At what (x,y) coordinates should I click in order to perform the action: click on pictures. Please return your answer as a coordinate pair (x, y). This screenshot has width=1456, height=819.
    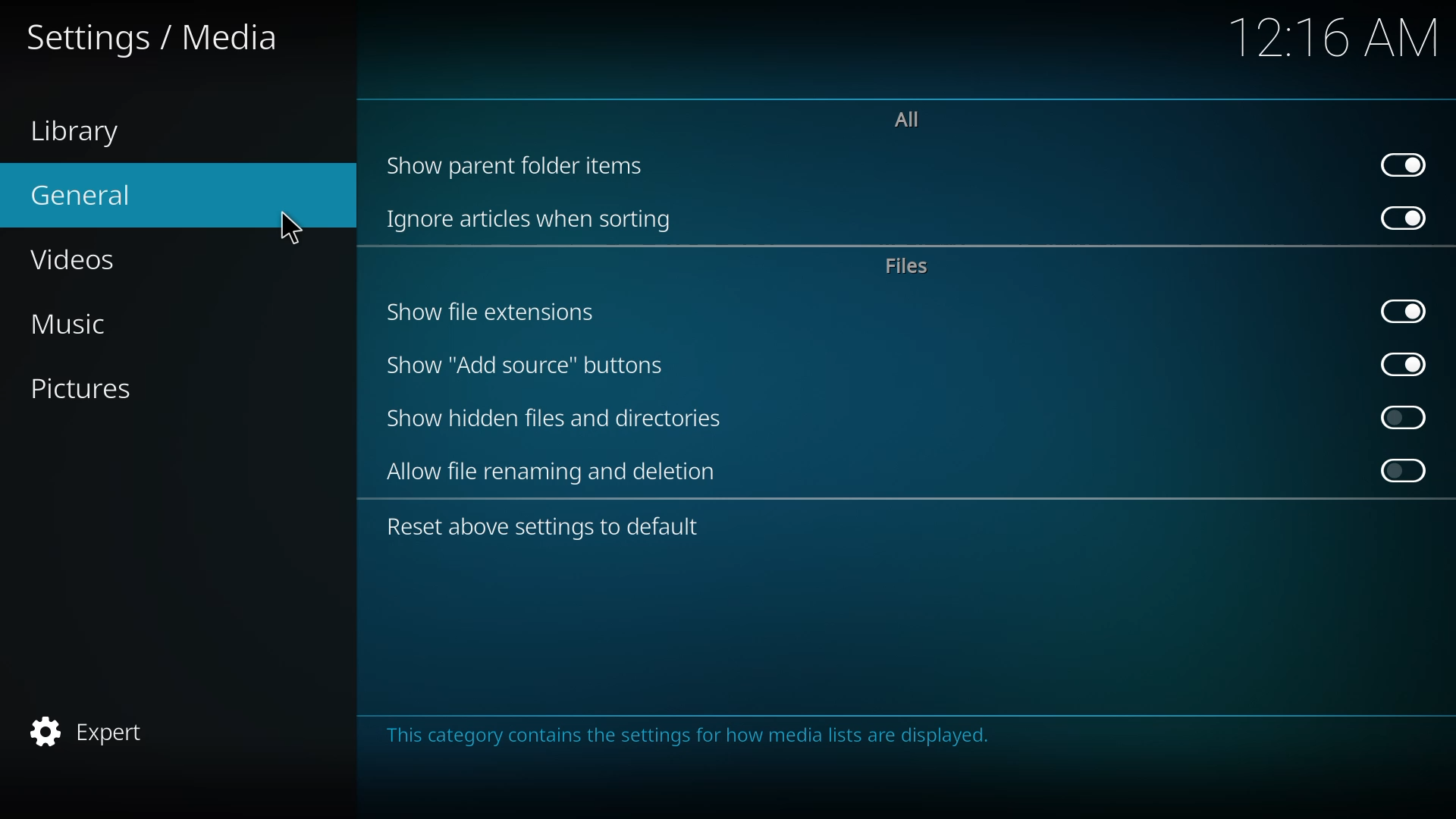
    Looking at the image, I should click on (92, 388).